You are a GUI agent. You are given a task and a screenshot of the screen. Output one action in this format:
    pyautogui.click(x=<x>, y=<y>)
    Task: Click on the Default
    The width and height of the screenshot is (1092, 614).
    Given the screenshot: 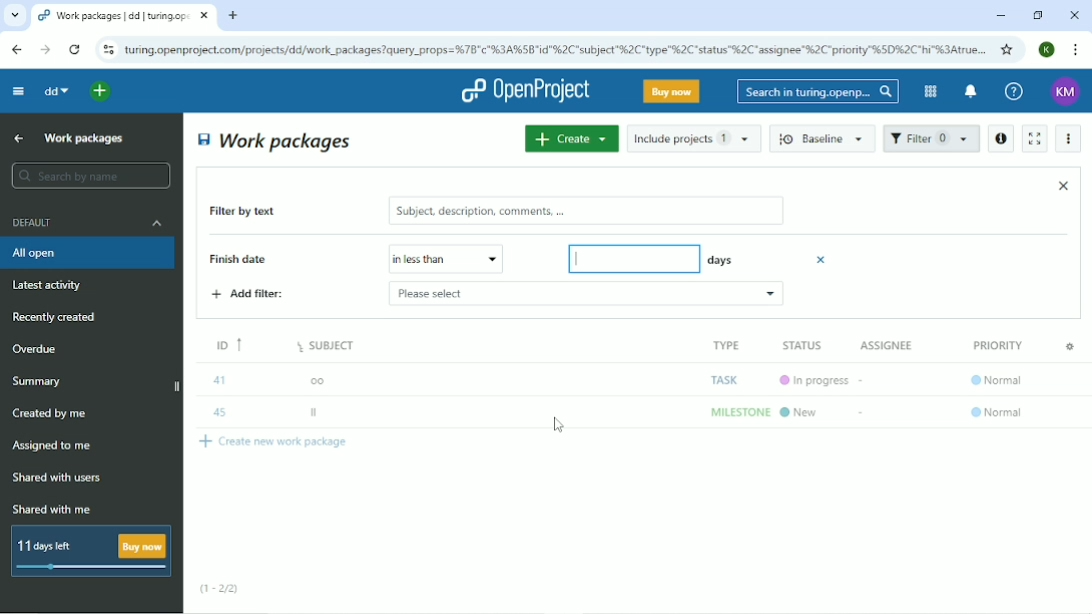 What is the action you would take?
    pyautogui.click(x=89, y=222)
    